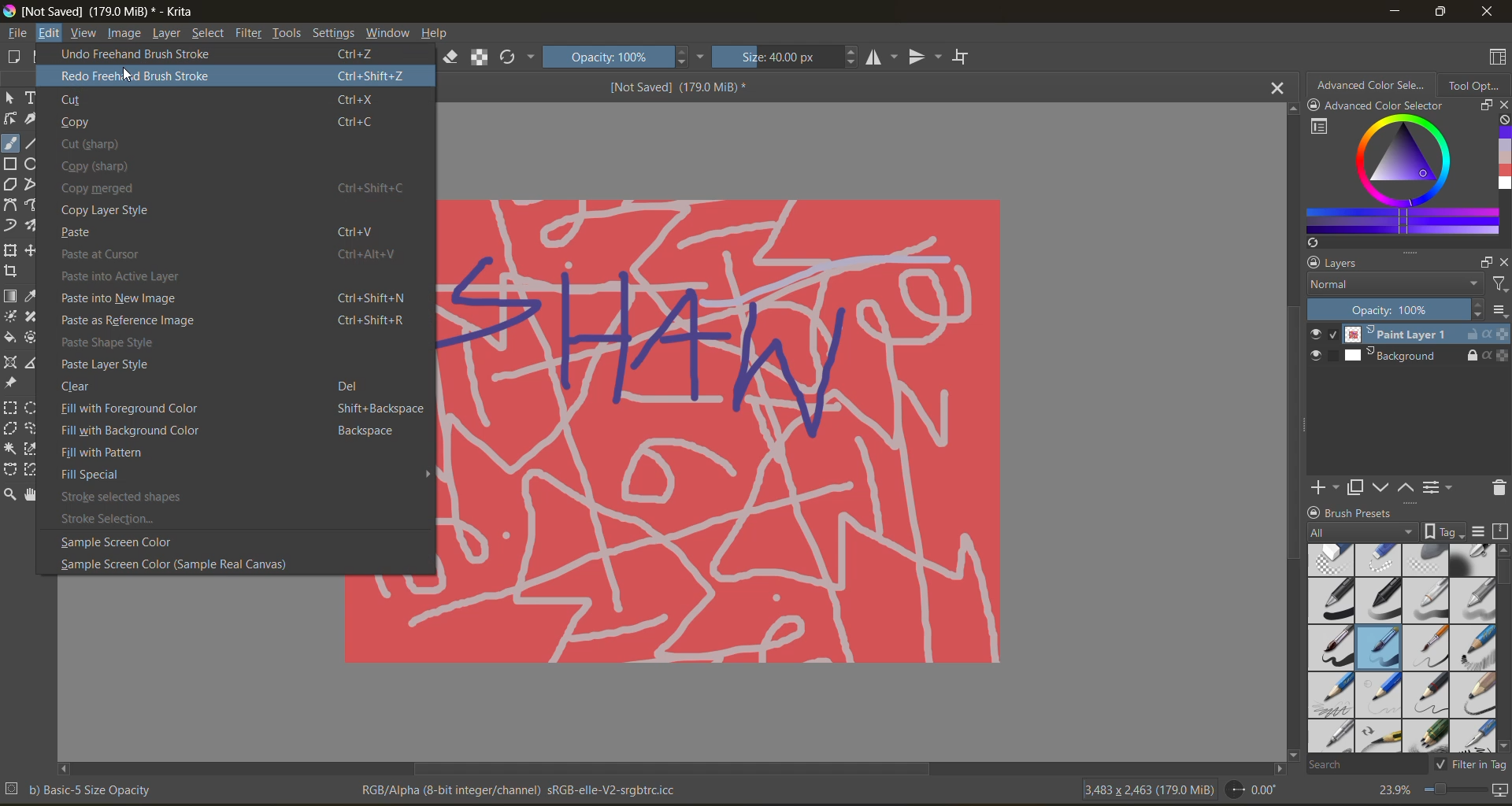 The height and width of the screenshot is (806, 1512). Describe the element at coordinates (119, 364) in the screenshot. I see `paste layer style` at that location.